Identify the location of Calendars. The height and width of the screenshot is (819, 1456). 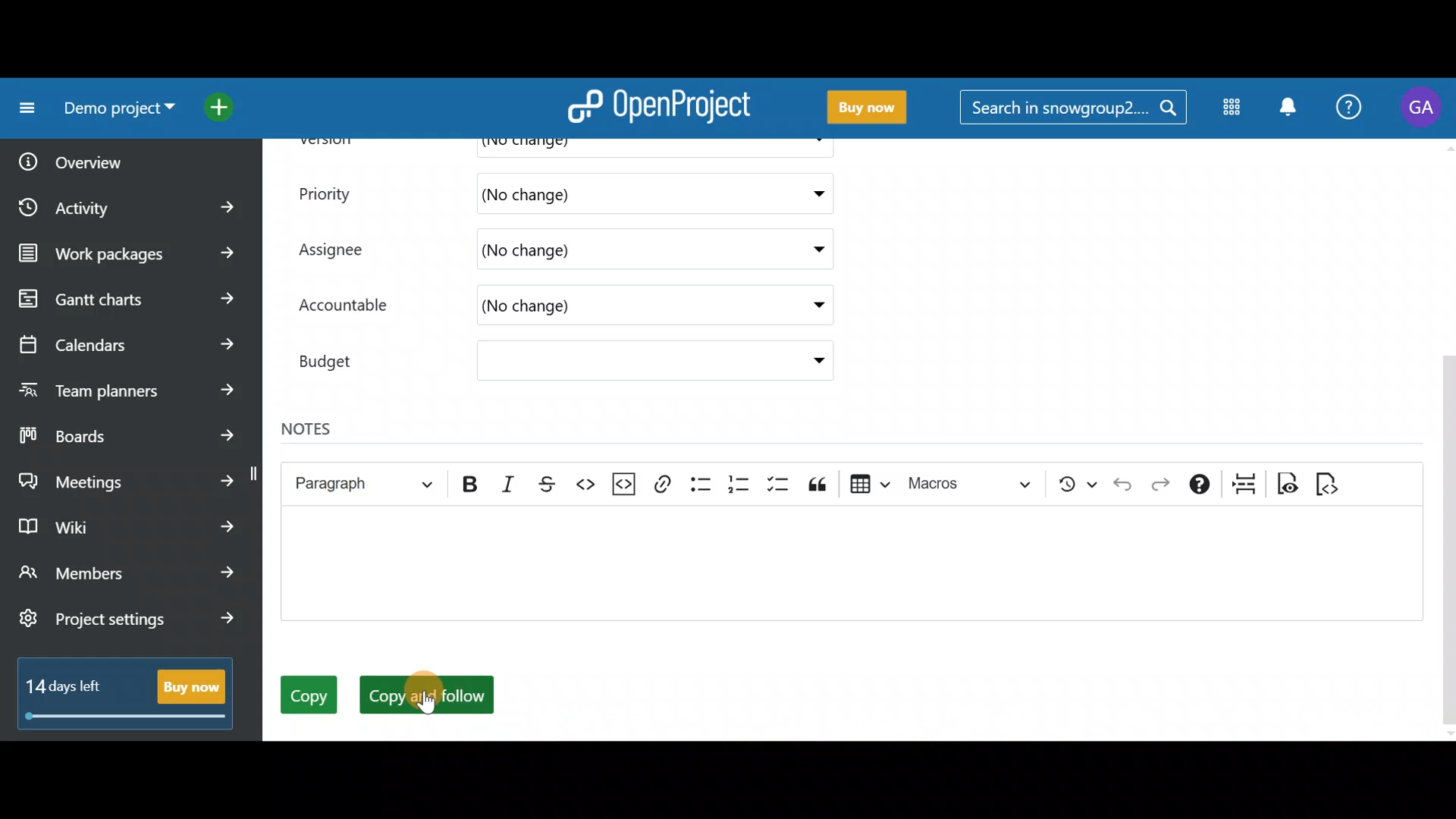
(126, 338).